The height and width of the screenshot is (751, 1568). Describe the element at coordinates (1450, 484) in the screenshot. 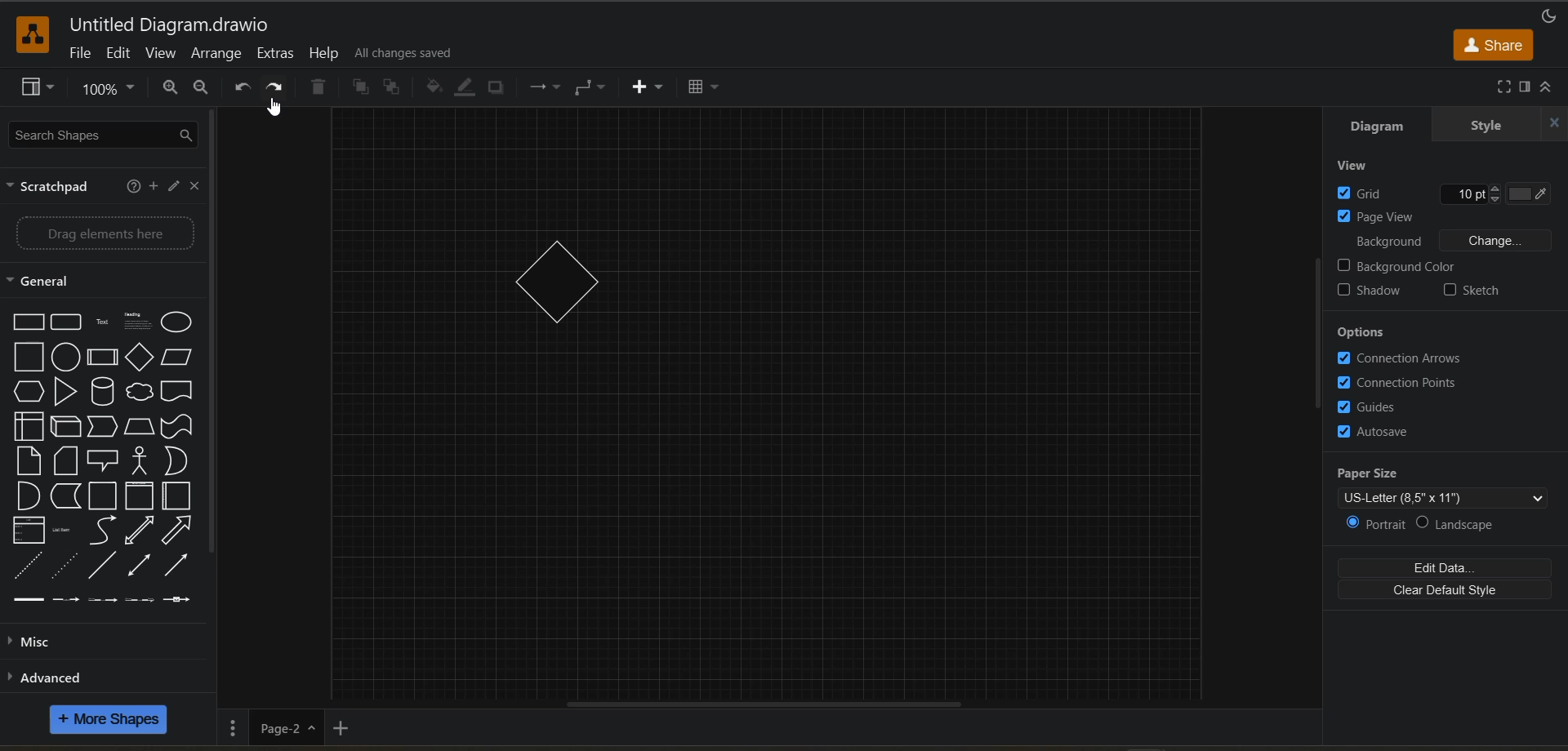

I see `paper size` at that location.